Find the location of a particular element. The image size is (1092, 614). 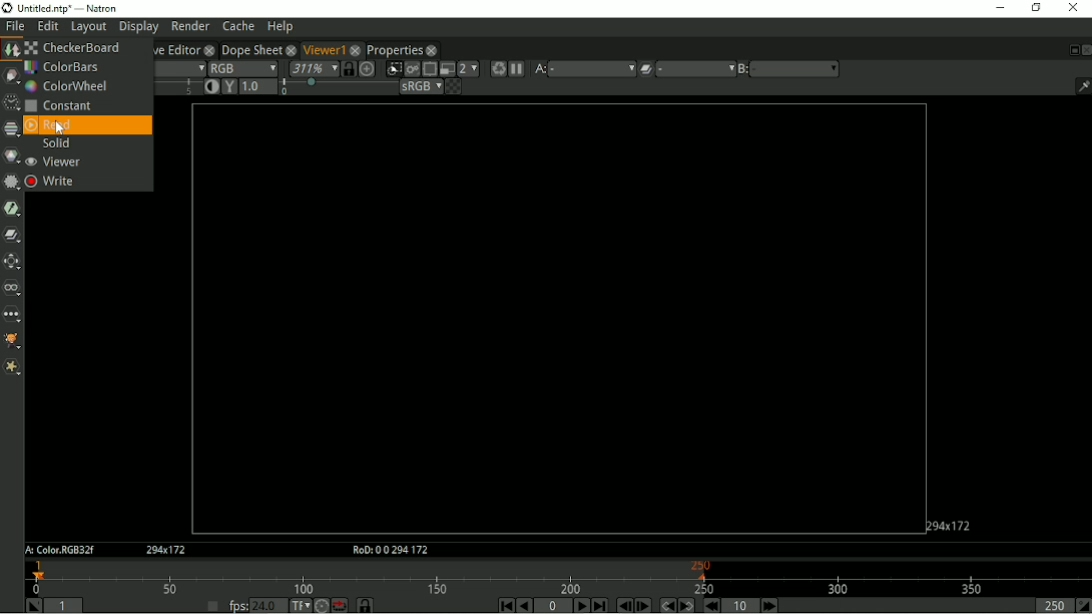

Edit is located at coordinates (49, 26).